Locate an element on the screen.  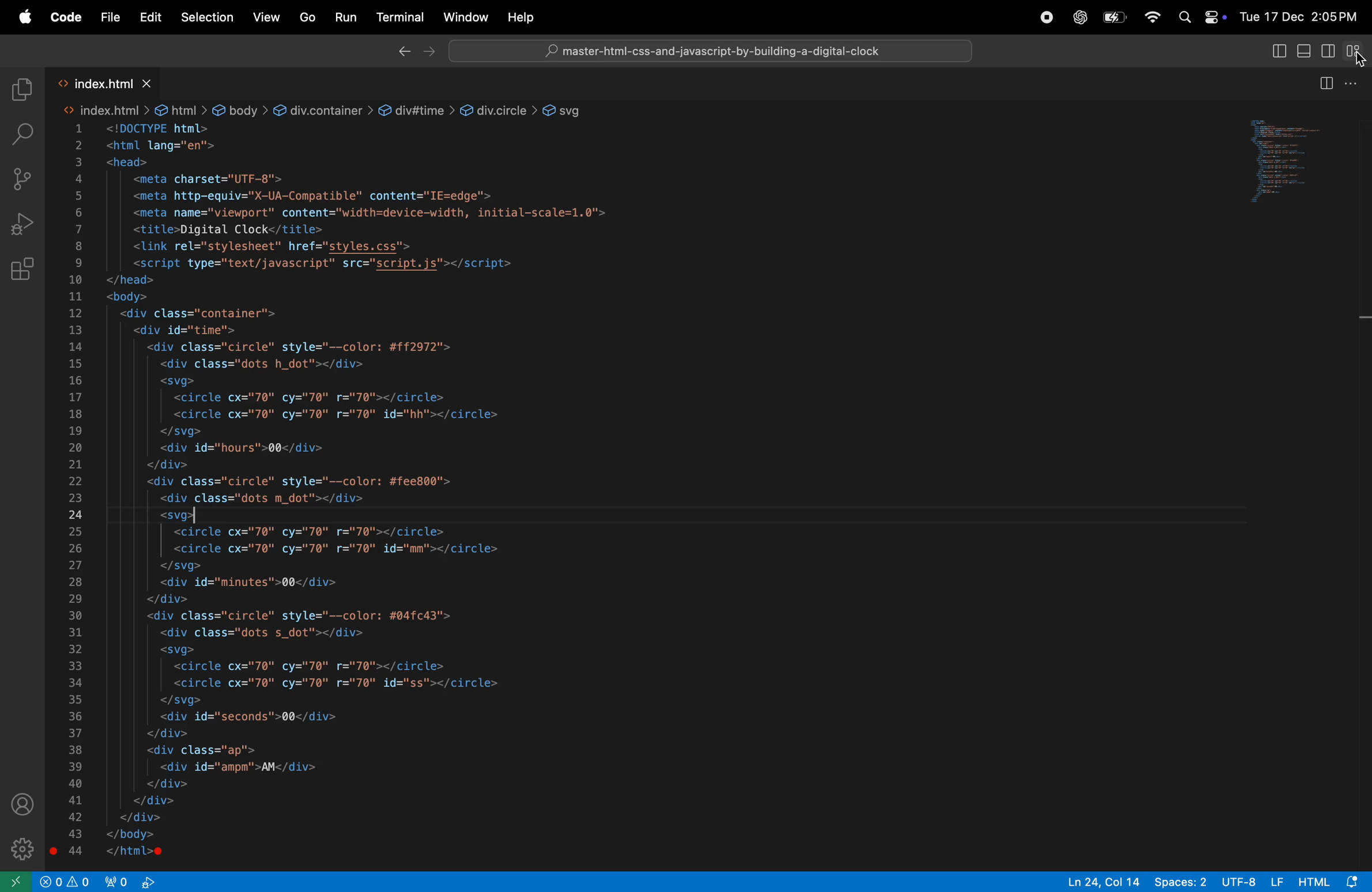
cursor is located at coordinates (1358, 63).